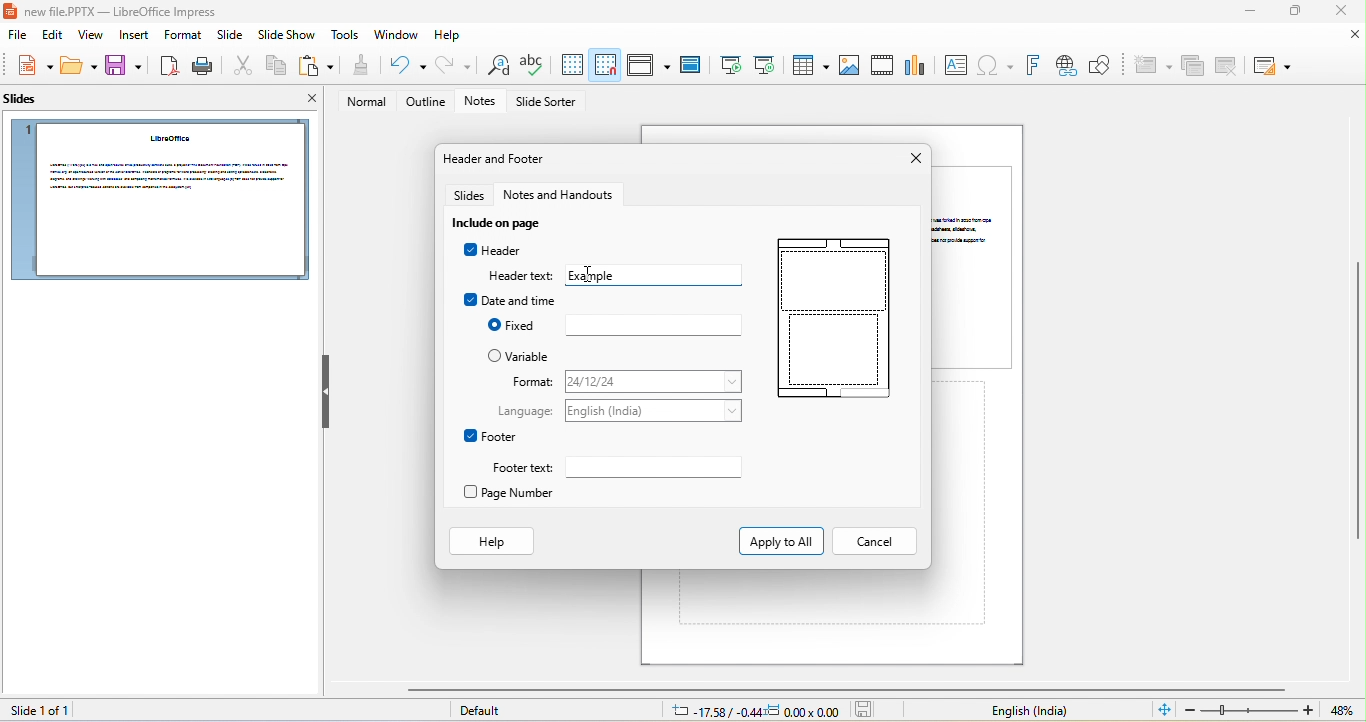 This screenshot has height=722, width=1366. I want to click on close, so click(304, 101).